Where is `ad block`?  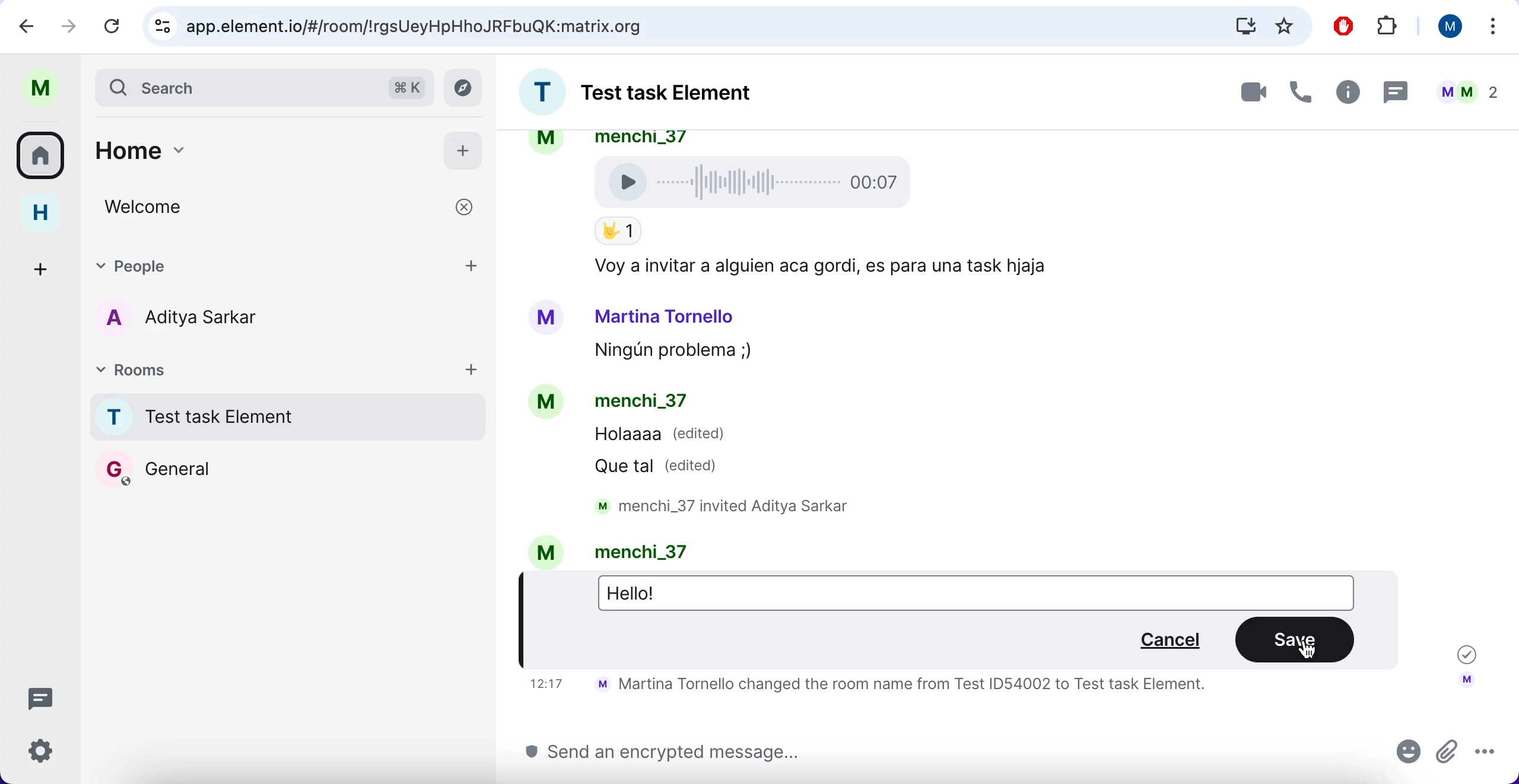
ad block is located at coordinates (1345, 26).